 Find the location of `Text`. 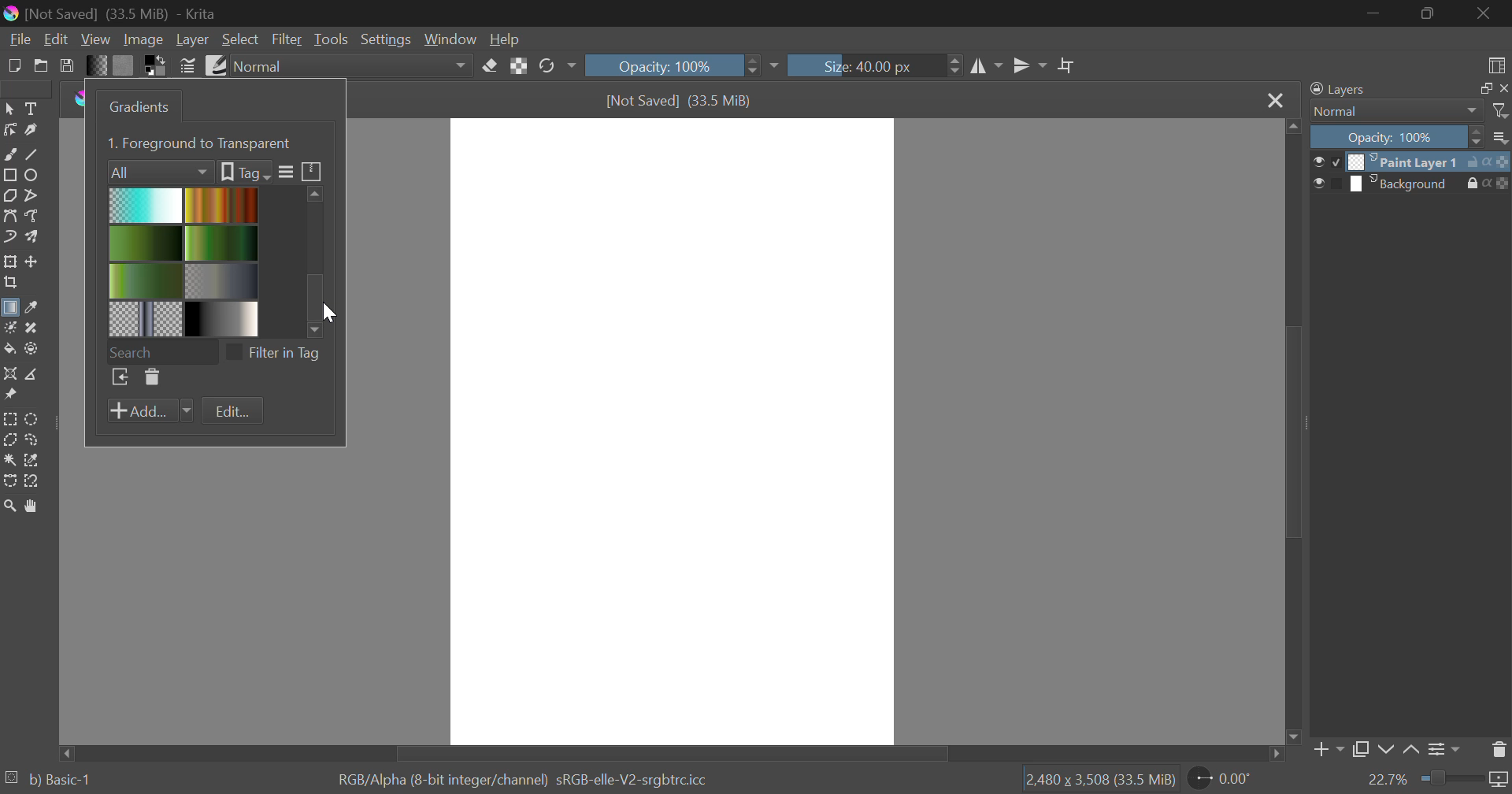

Text is located at coordinates (30, 107).